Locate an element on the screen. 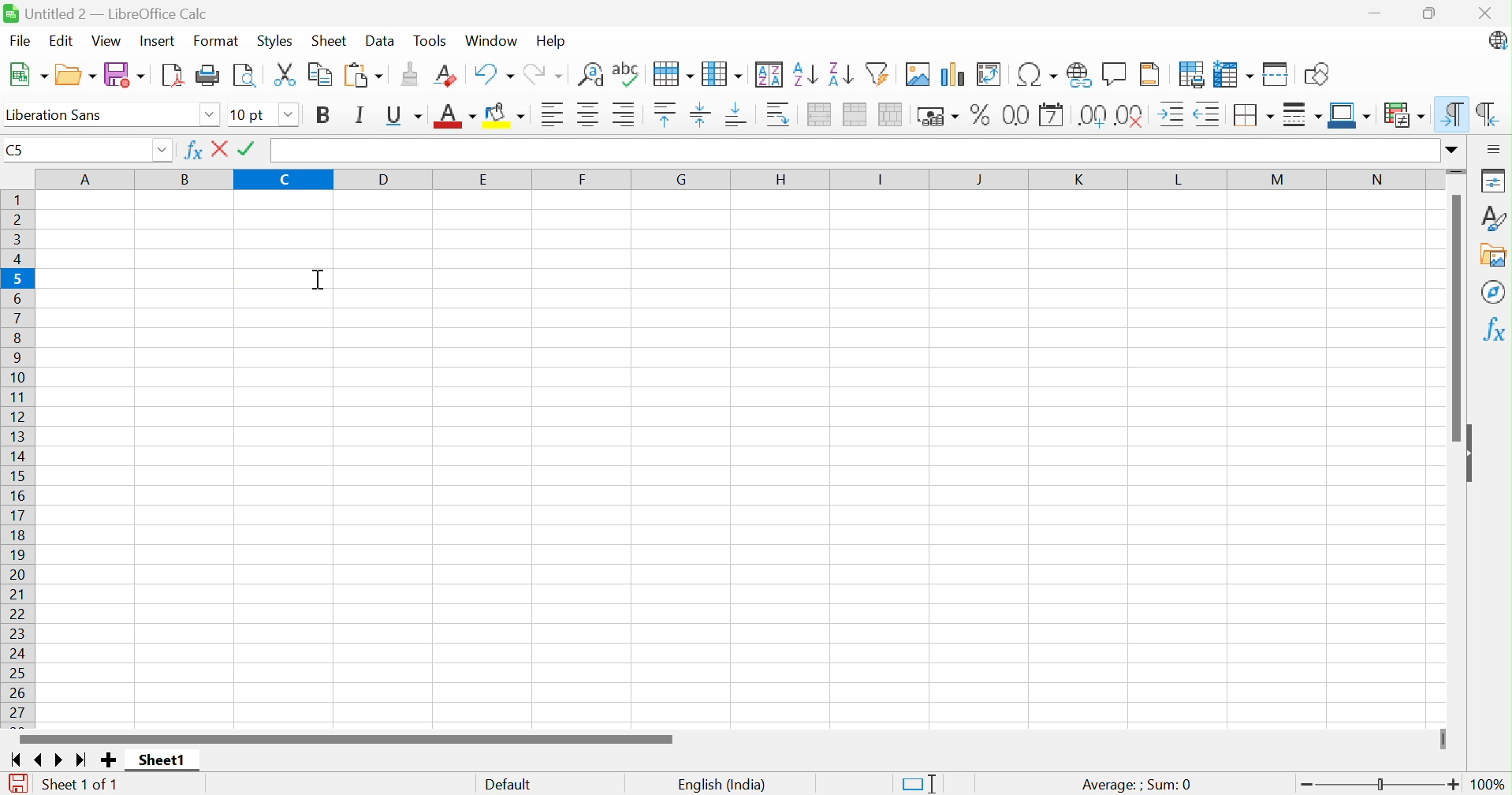 This screenshot has height=795, width=1512. Unmerge cells is located at coordinates (892, 114).